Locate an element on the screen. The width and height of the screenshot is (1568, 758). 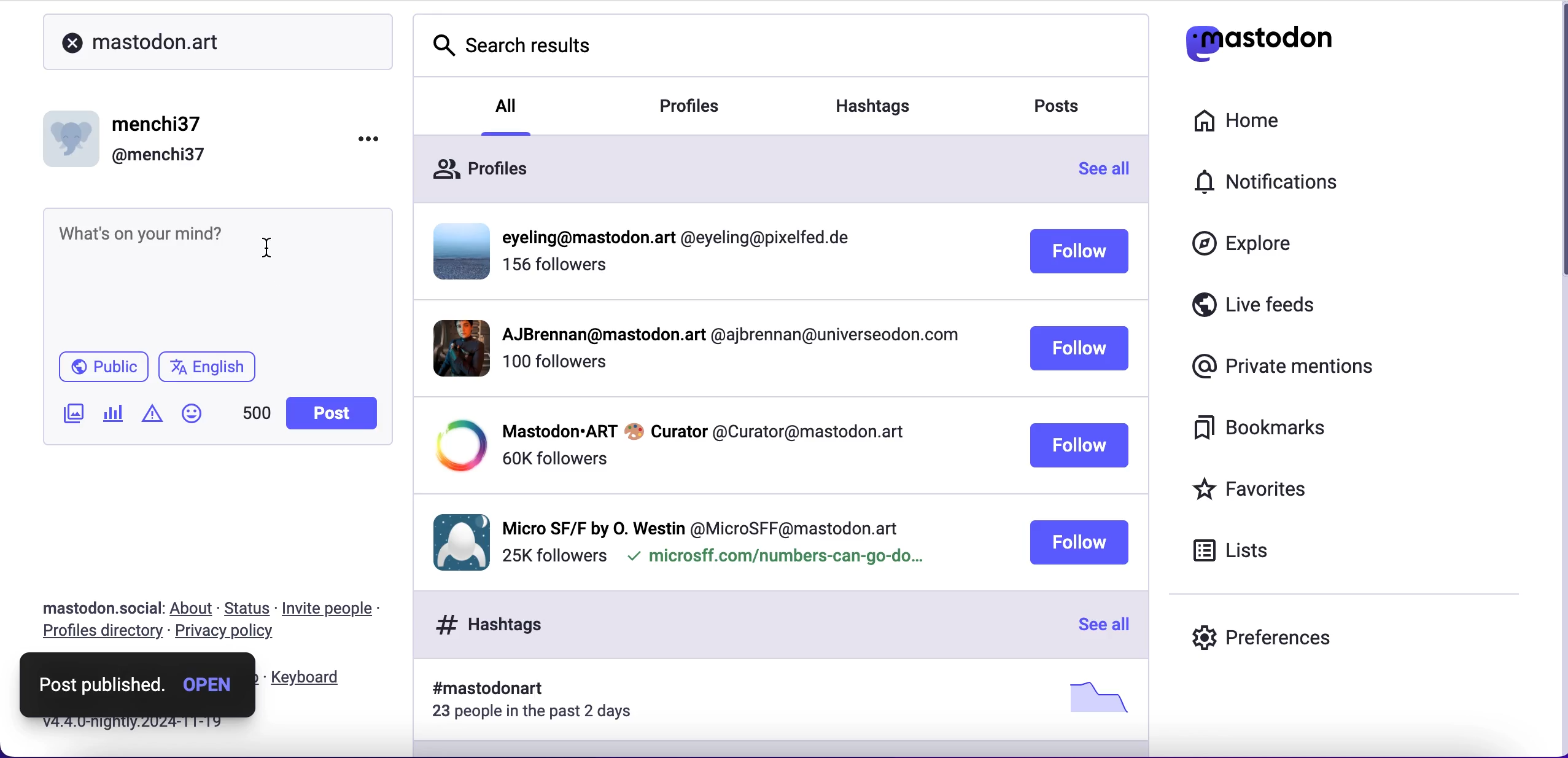
add poll is located at coordinates (114, 415).